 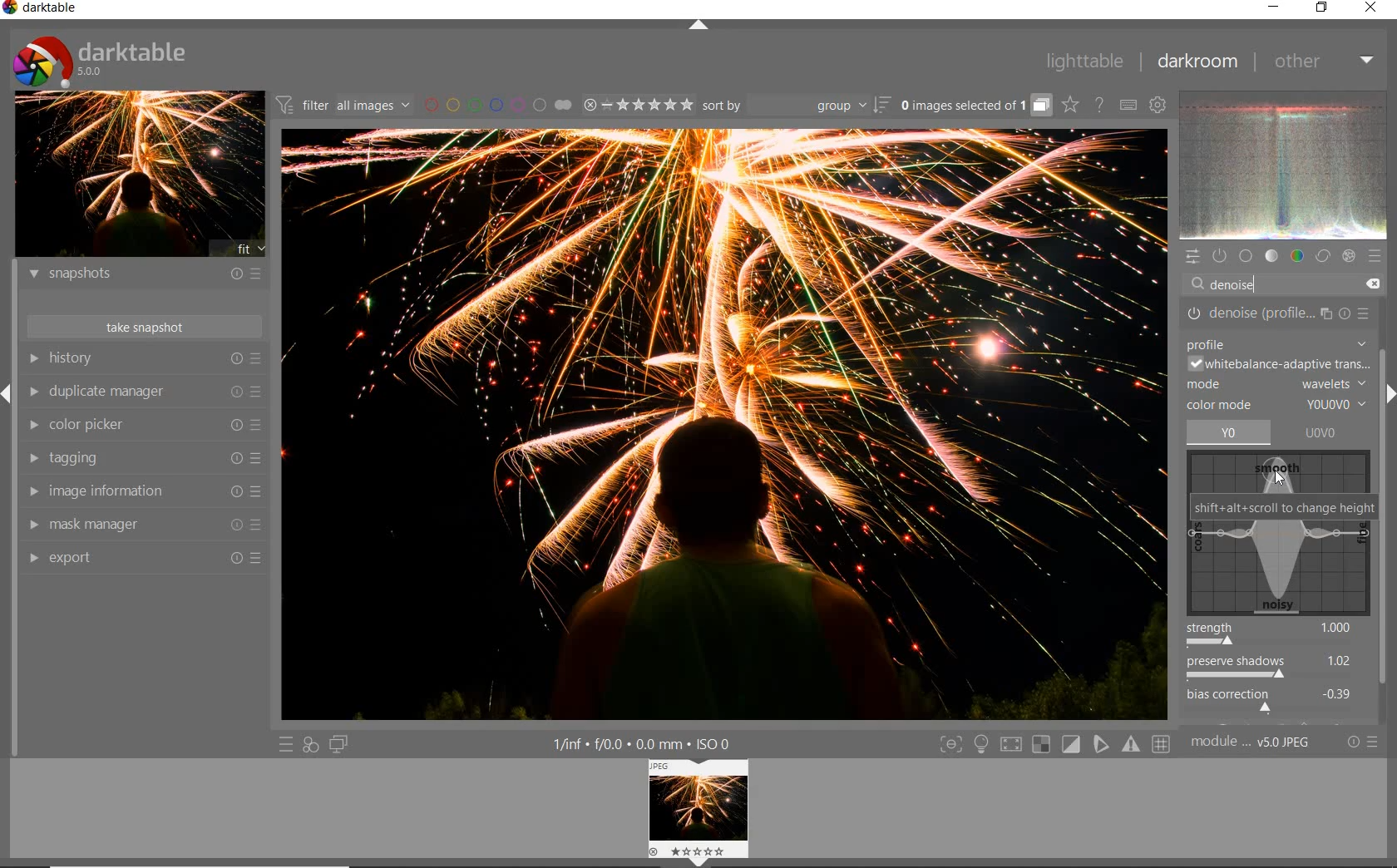 What do you see at coordinates (144, 328) in the screenshot?
I see `take snapshots` at bounding box center [144, 328].